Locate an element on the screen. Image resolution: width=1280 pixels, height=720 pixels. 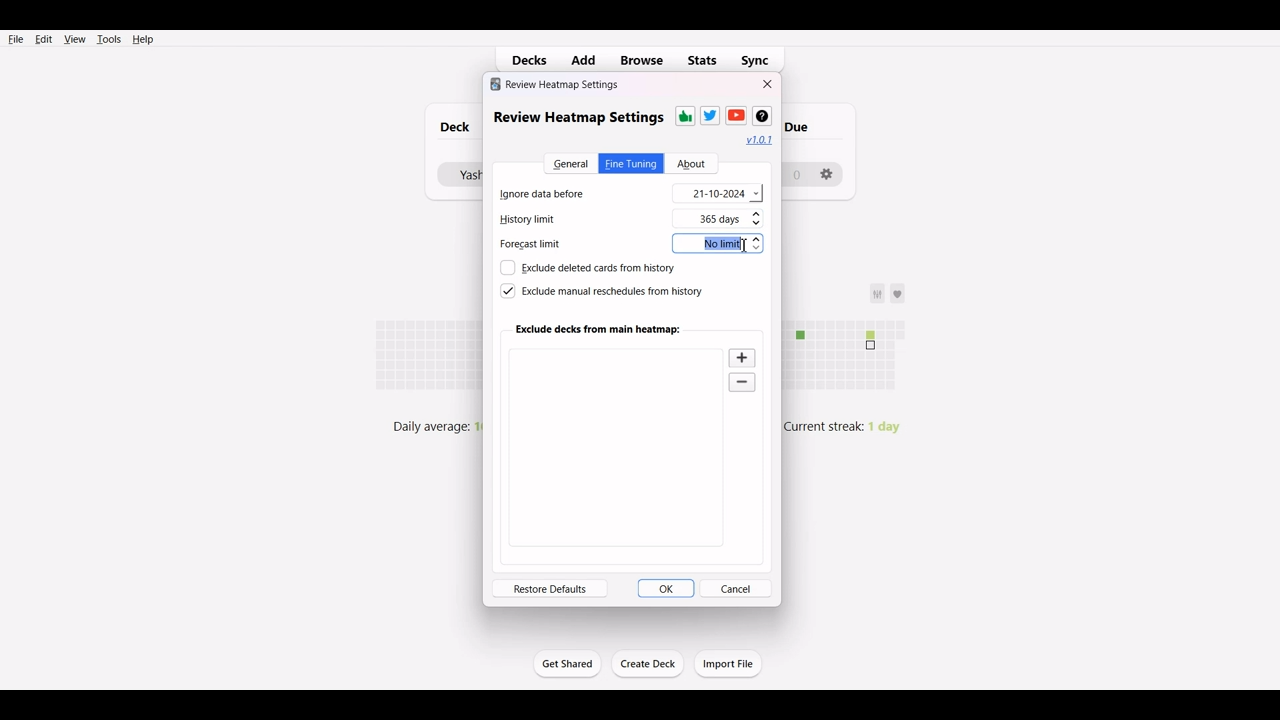
Exclude manual reschedule from history is located at coordinates (600, 291).